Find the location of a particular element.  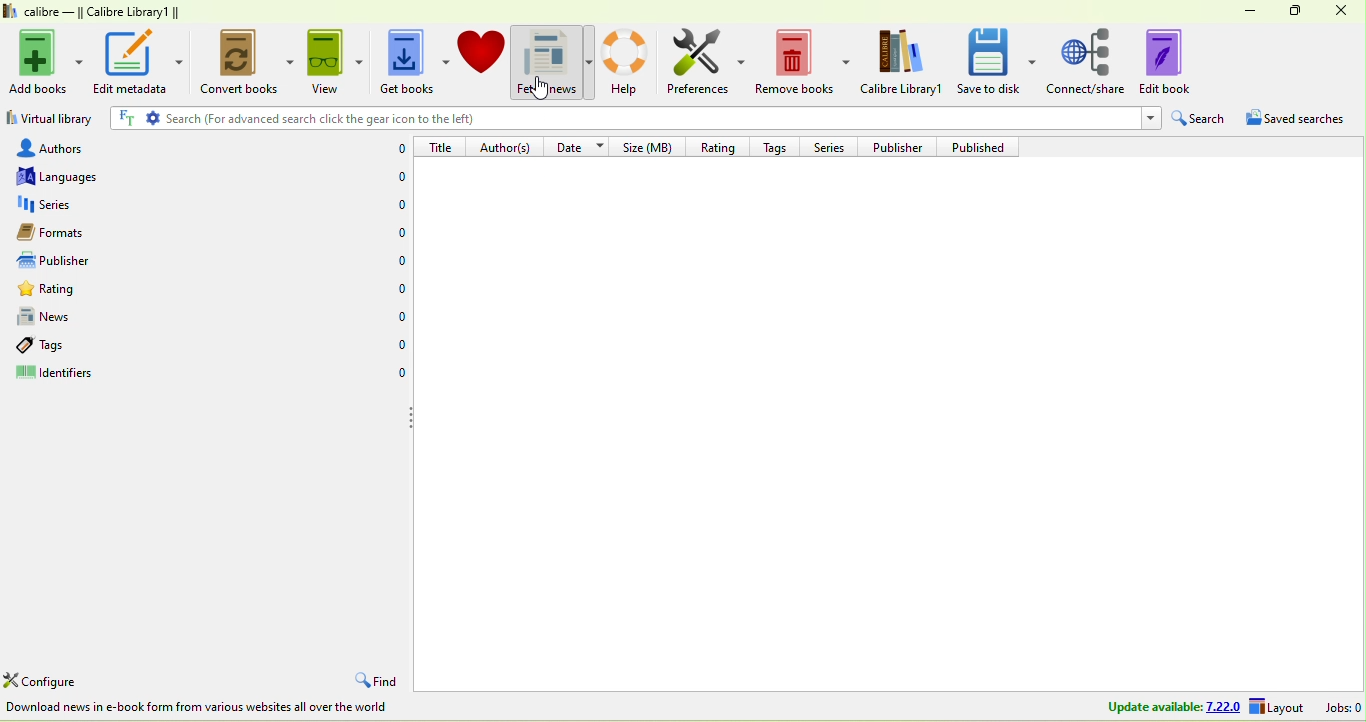

calibre- calibre library 1 is located at coordinates (103, 13).